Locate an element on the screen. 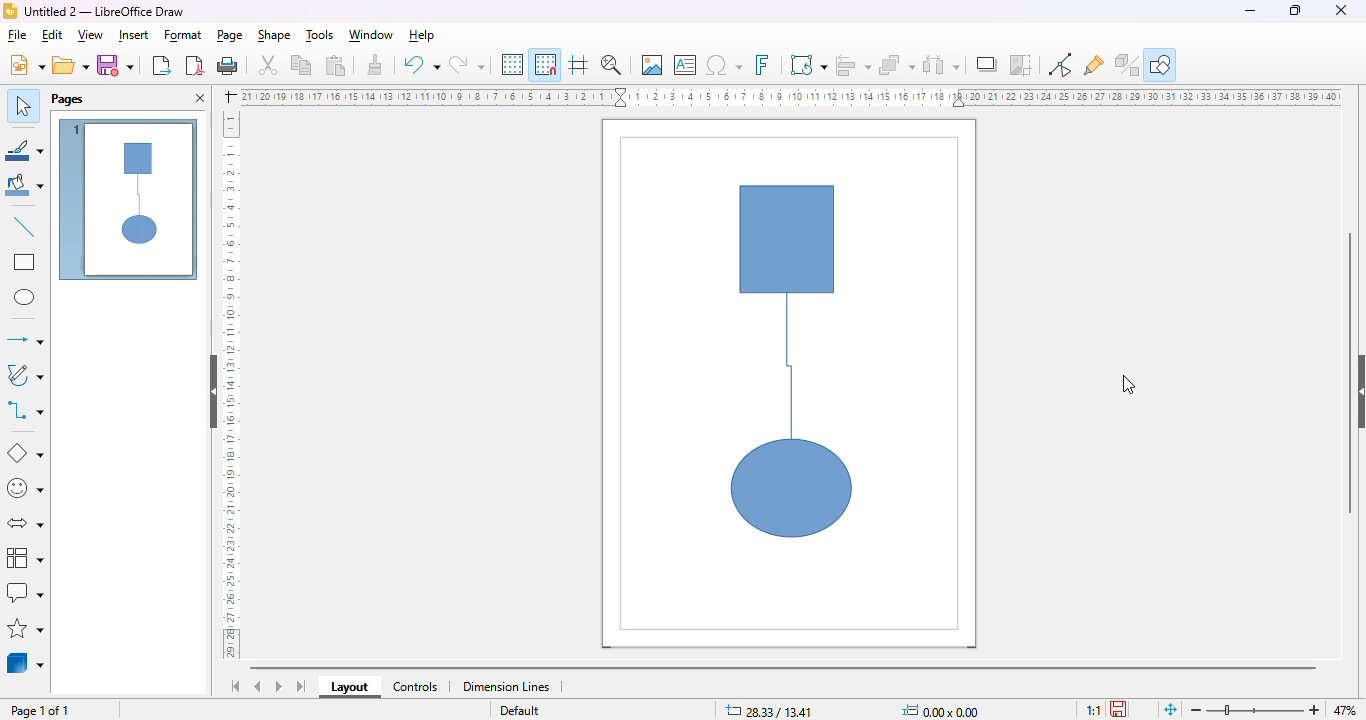 This screenshot has width=1366, height=720. insert special characters is located at coordinates (724, 65).